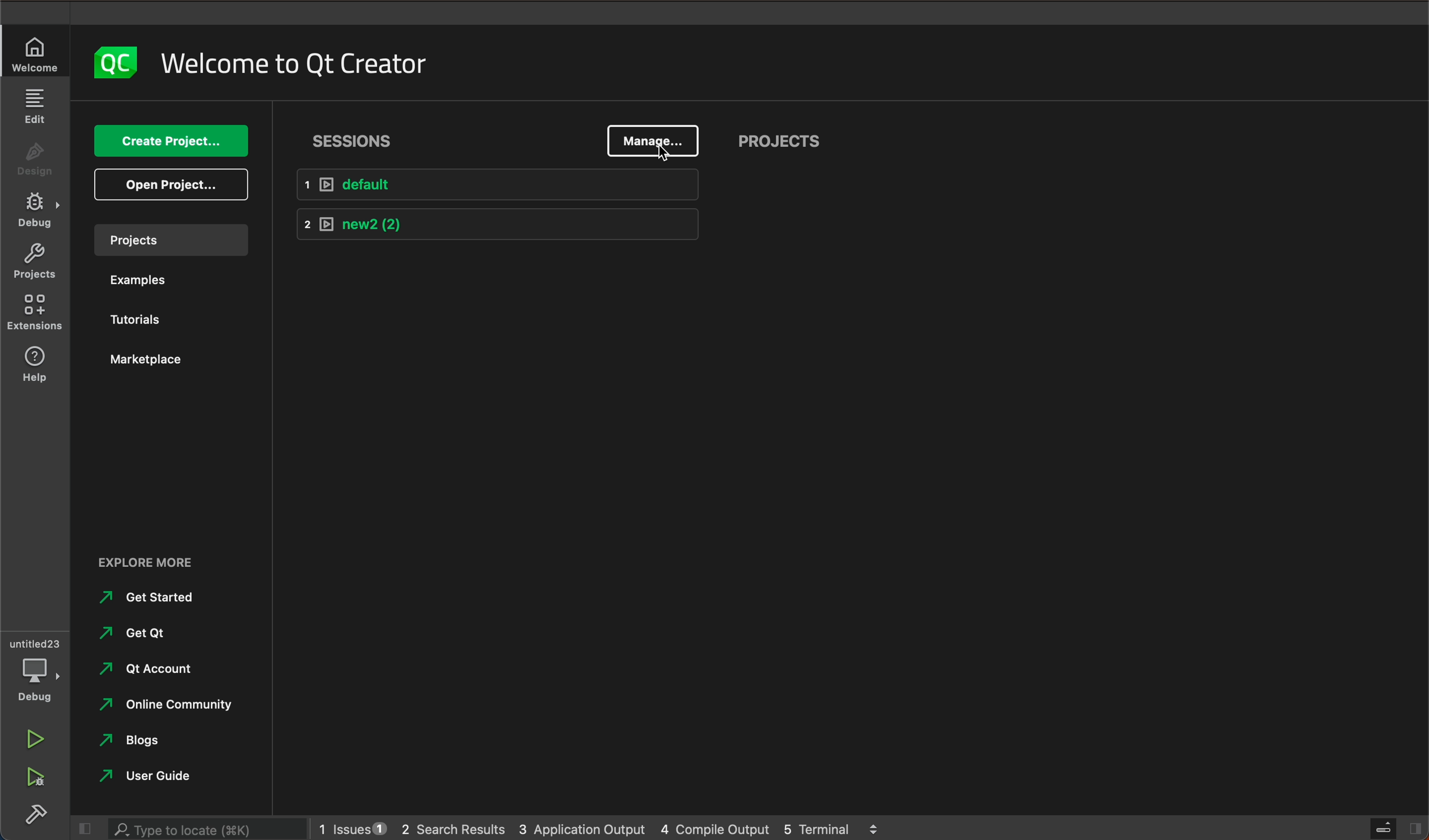 The width and height of the screenshot is (1429, 840). Describe the element at coordinates (36, 53) in the screenshot. I see `welcome` at that location.